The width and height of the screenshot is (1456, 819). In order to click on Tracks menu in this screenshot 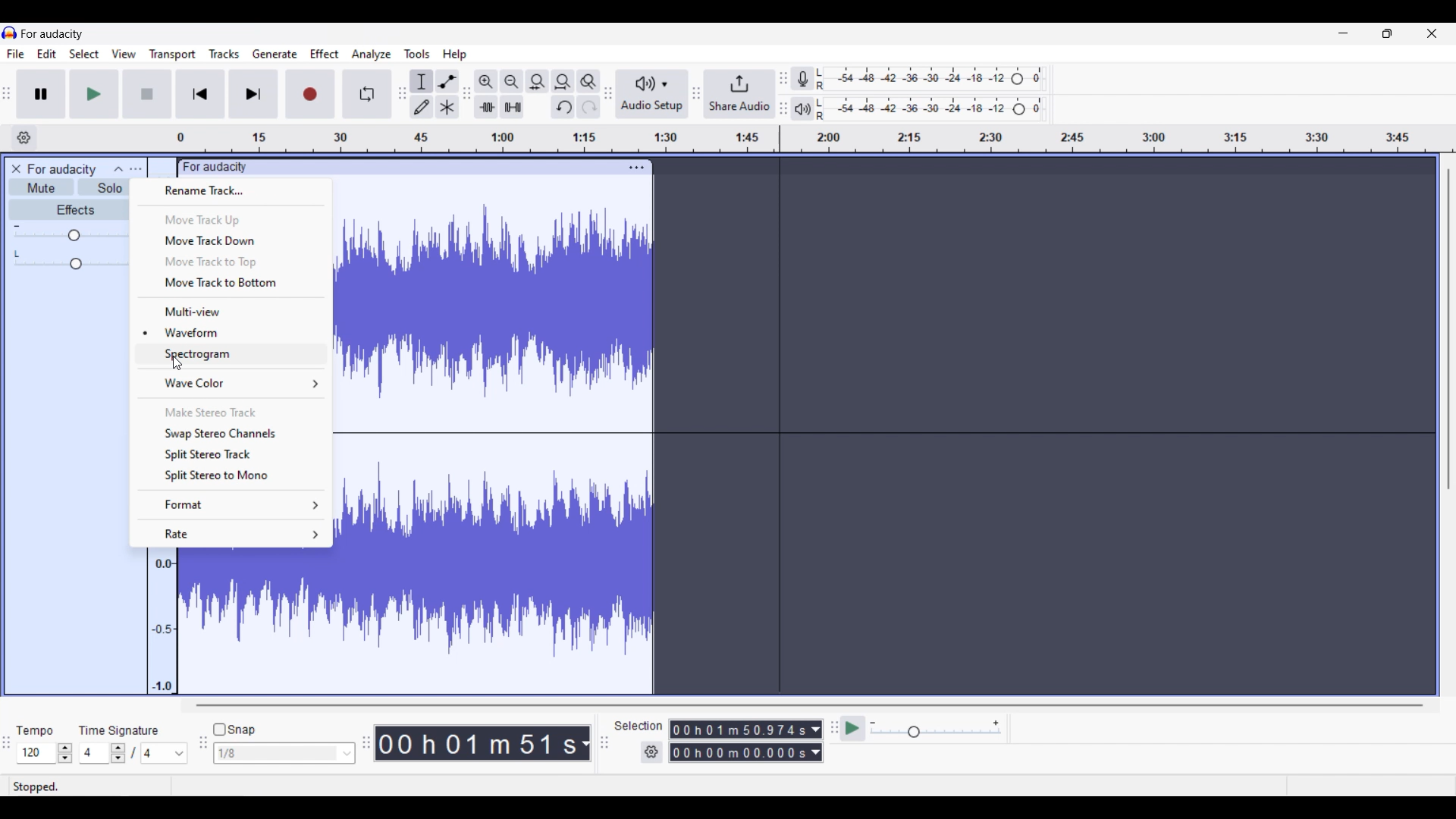, I will do `click(224, 53)`.